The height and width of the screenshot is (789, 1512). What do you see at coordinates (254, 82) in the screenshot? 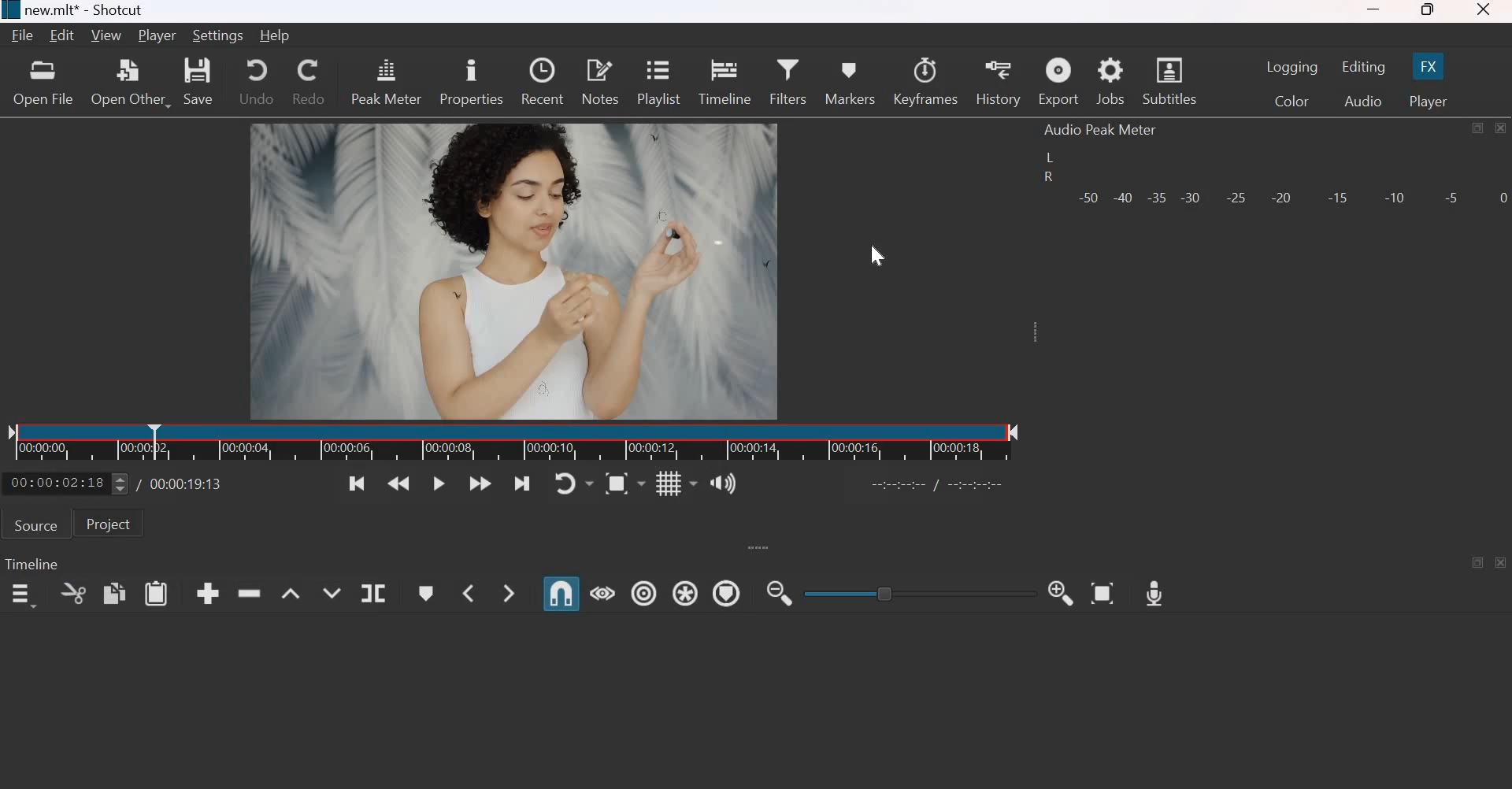
I see `Undo` at bounding box center [254, 82].